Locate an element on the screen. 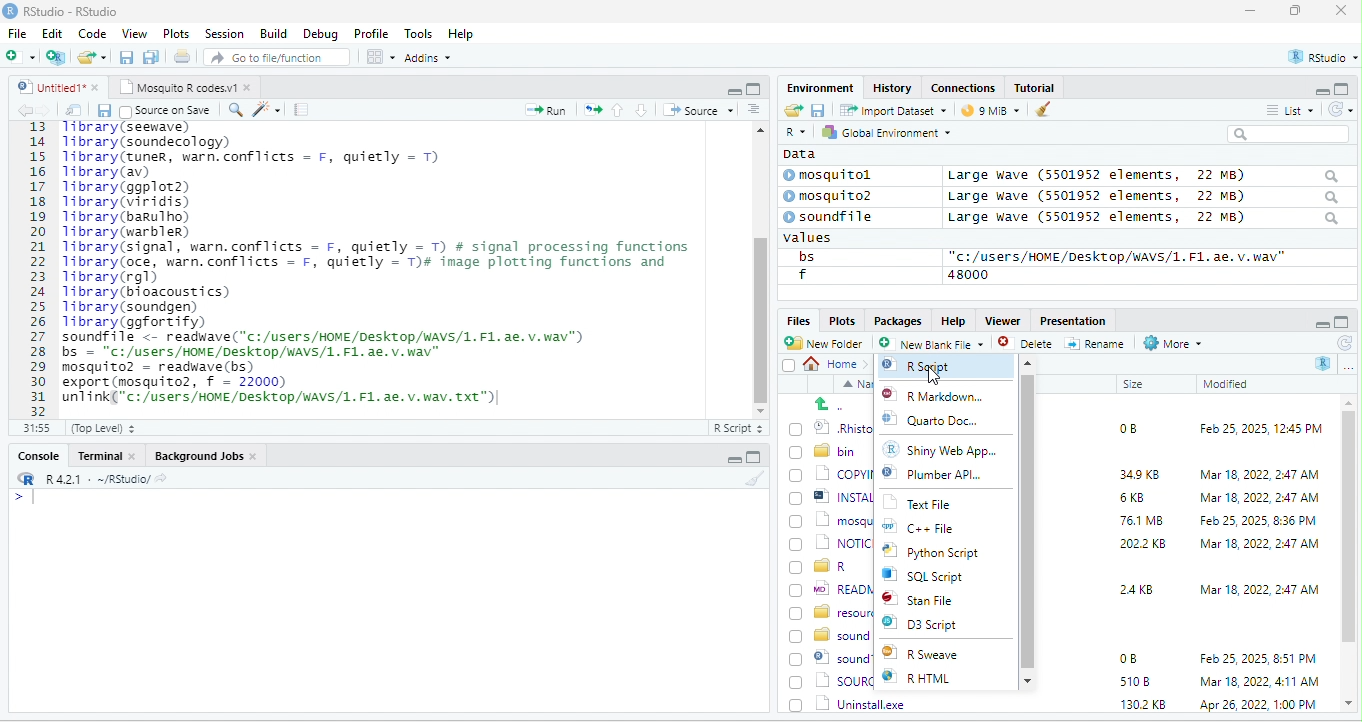 The width and height of the screenshot is (1362, 722). Large wave (5501952 elements, 22 MB) is located at coordinates (1144, 219).